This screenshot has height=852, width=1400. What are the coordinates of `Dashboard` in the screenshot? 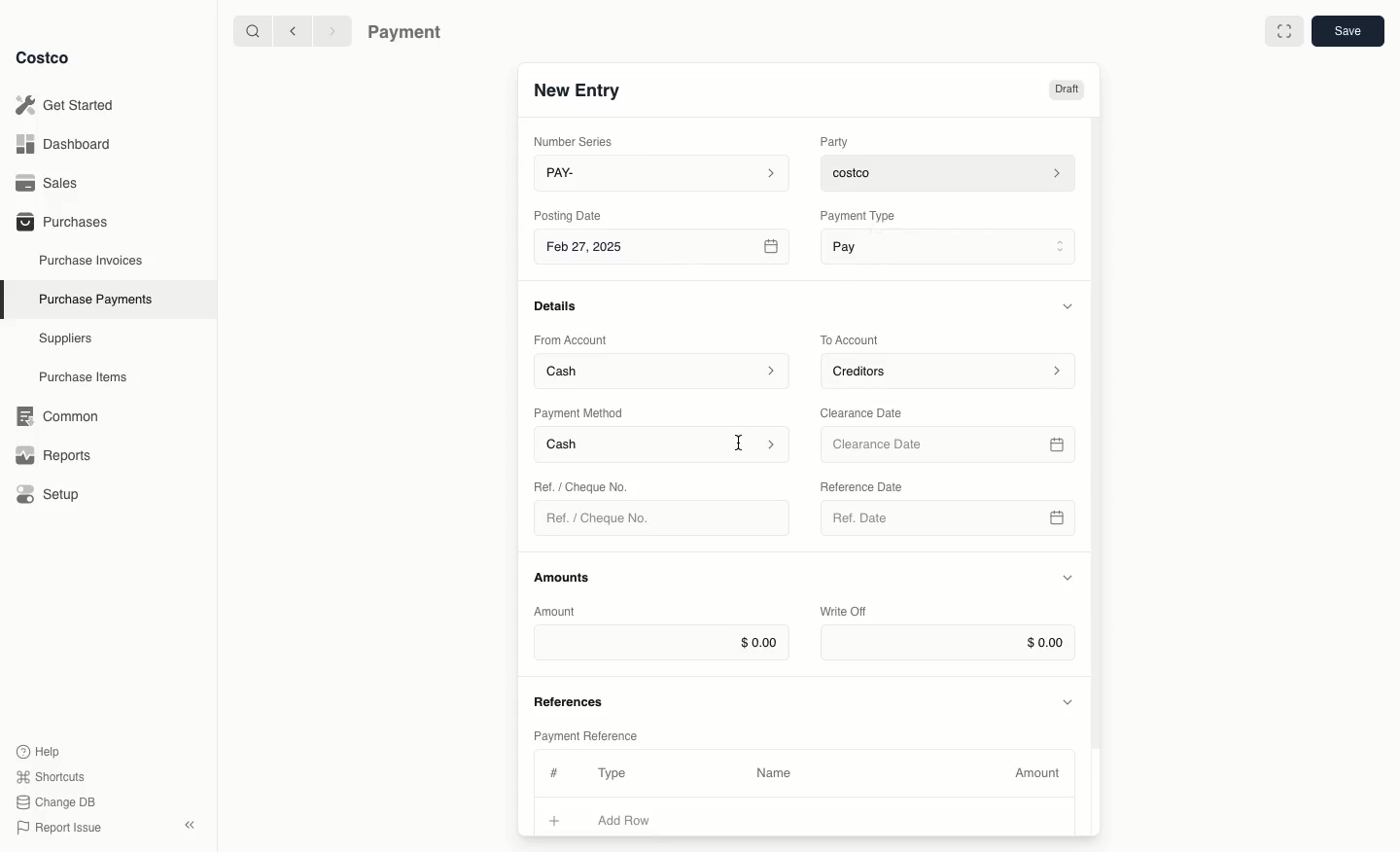 It's located at (69, 143).